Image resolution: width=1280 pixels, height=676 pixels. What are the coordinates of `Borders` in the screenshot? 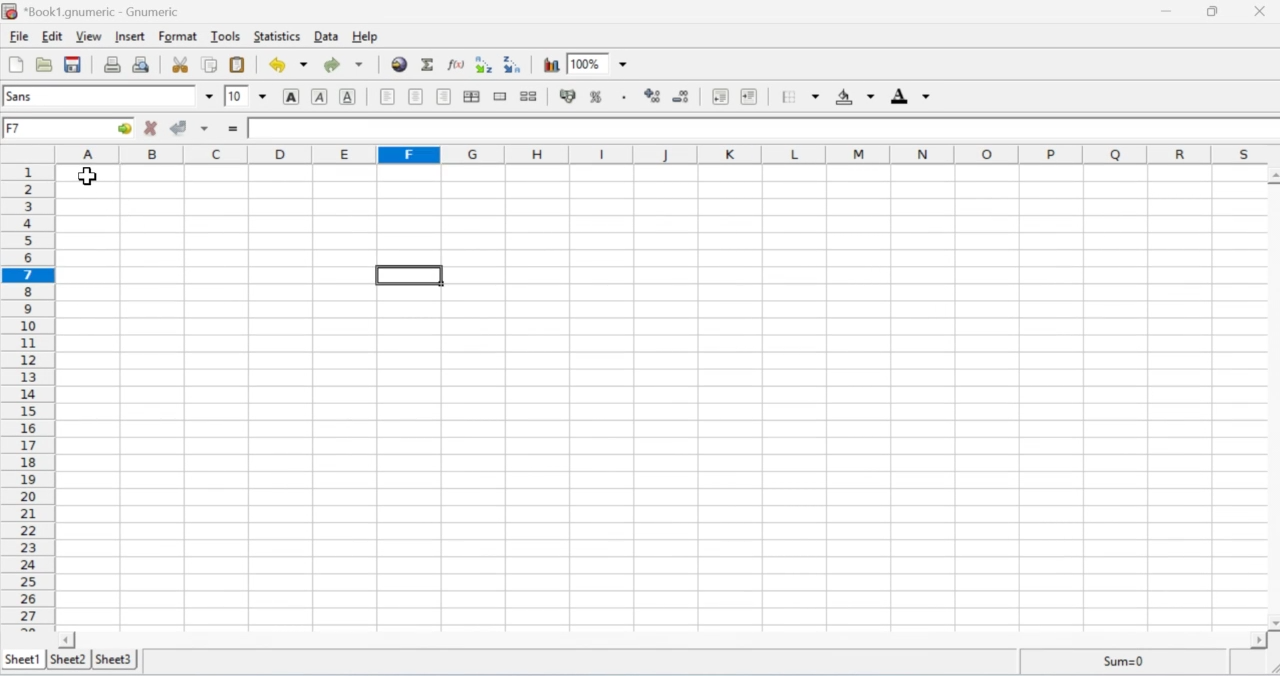 It's located at (800, 97).